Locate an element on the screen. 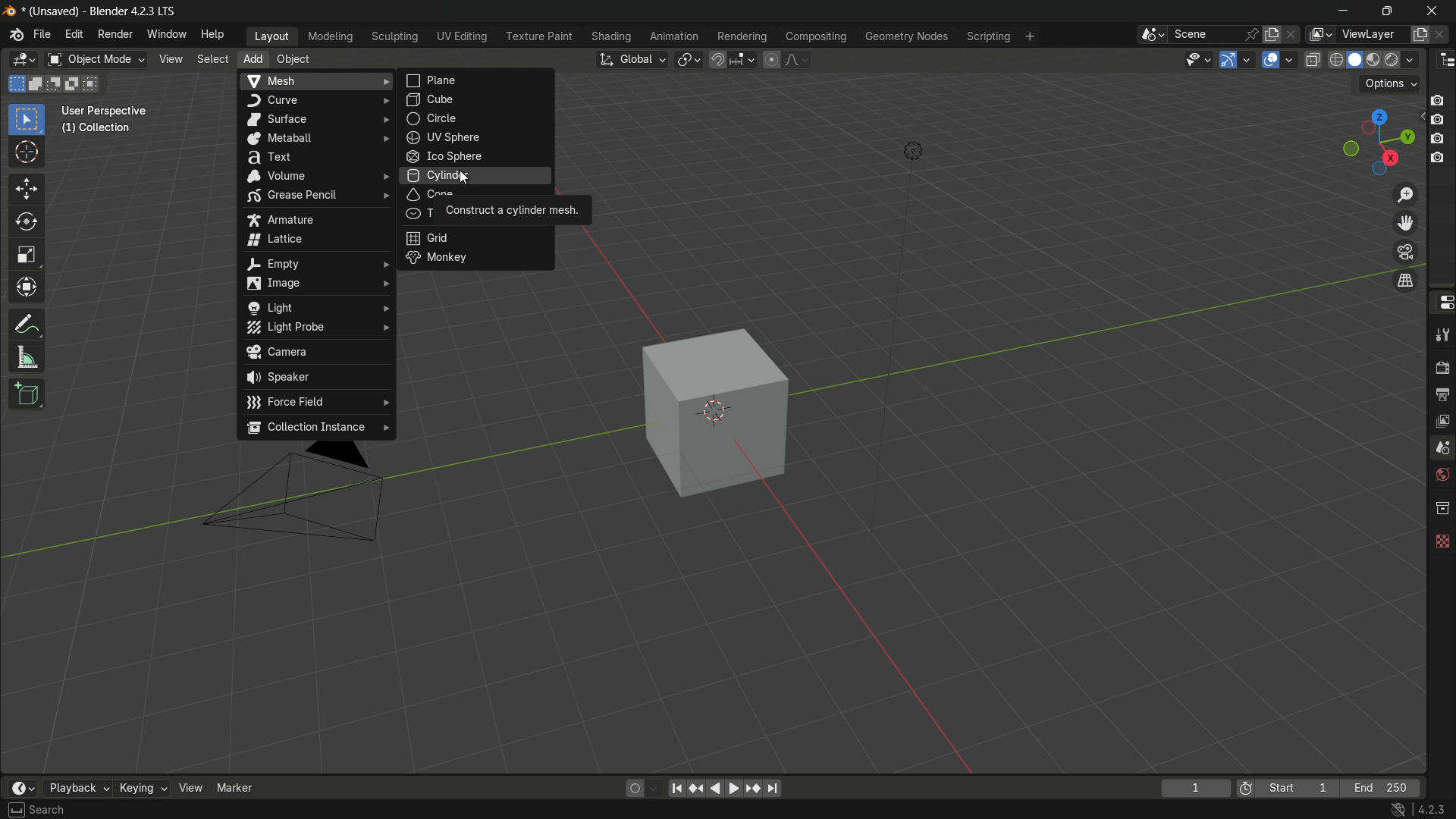  current frame is located at coordinates (1196, 787).